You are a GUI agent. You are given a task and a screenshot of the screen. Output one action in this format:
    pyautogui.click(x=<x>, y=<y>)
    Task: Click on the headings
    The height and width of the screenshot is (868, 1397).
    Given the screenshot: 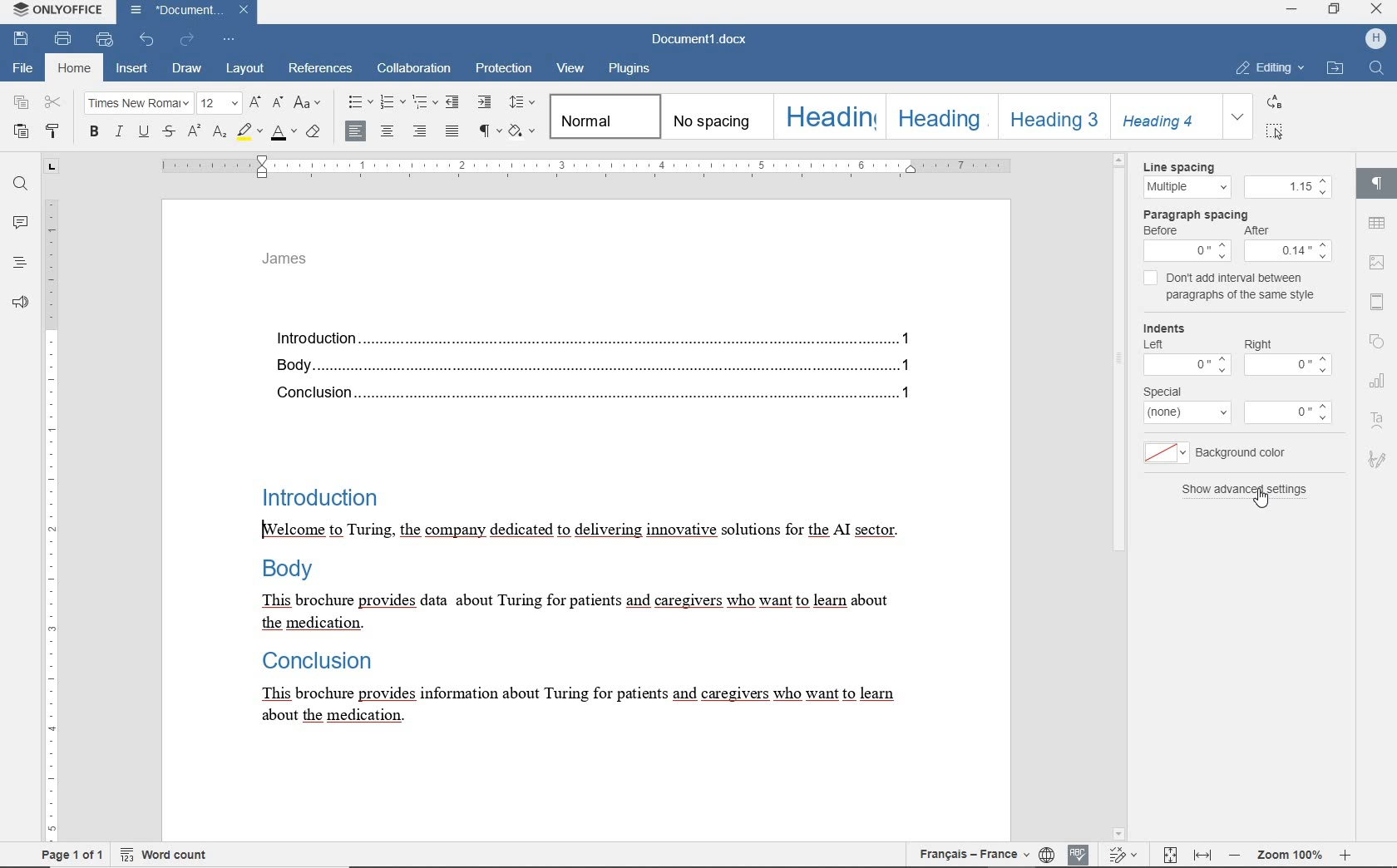 What is the action you would take?
    pyautogui.click(x=19, y=264)
    